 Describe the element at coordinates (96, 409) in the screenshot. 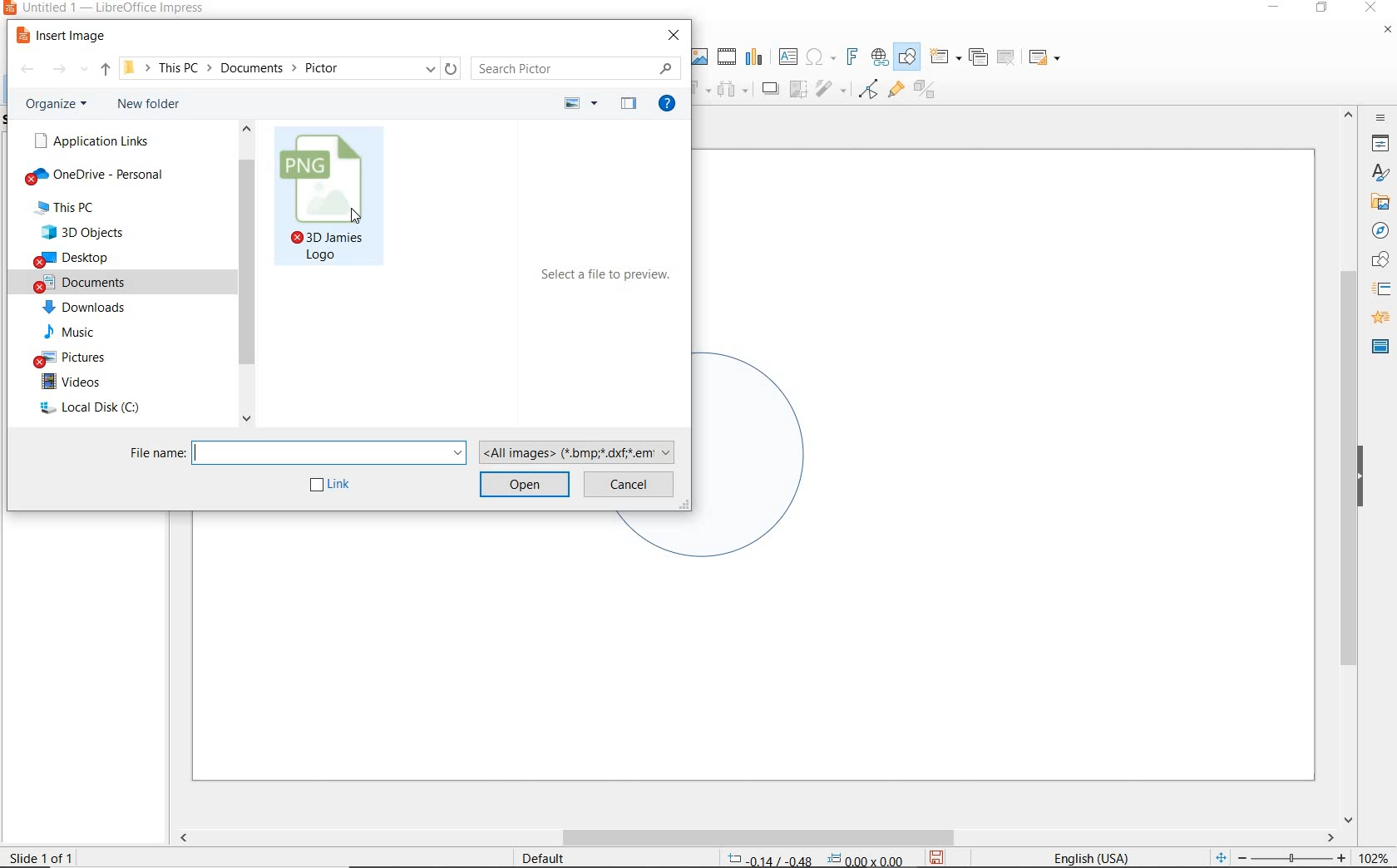

I see `local disk` at that location.